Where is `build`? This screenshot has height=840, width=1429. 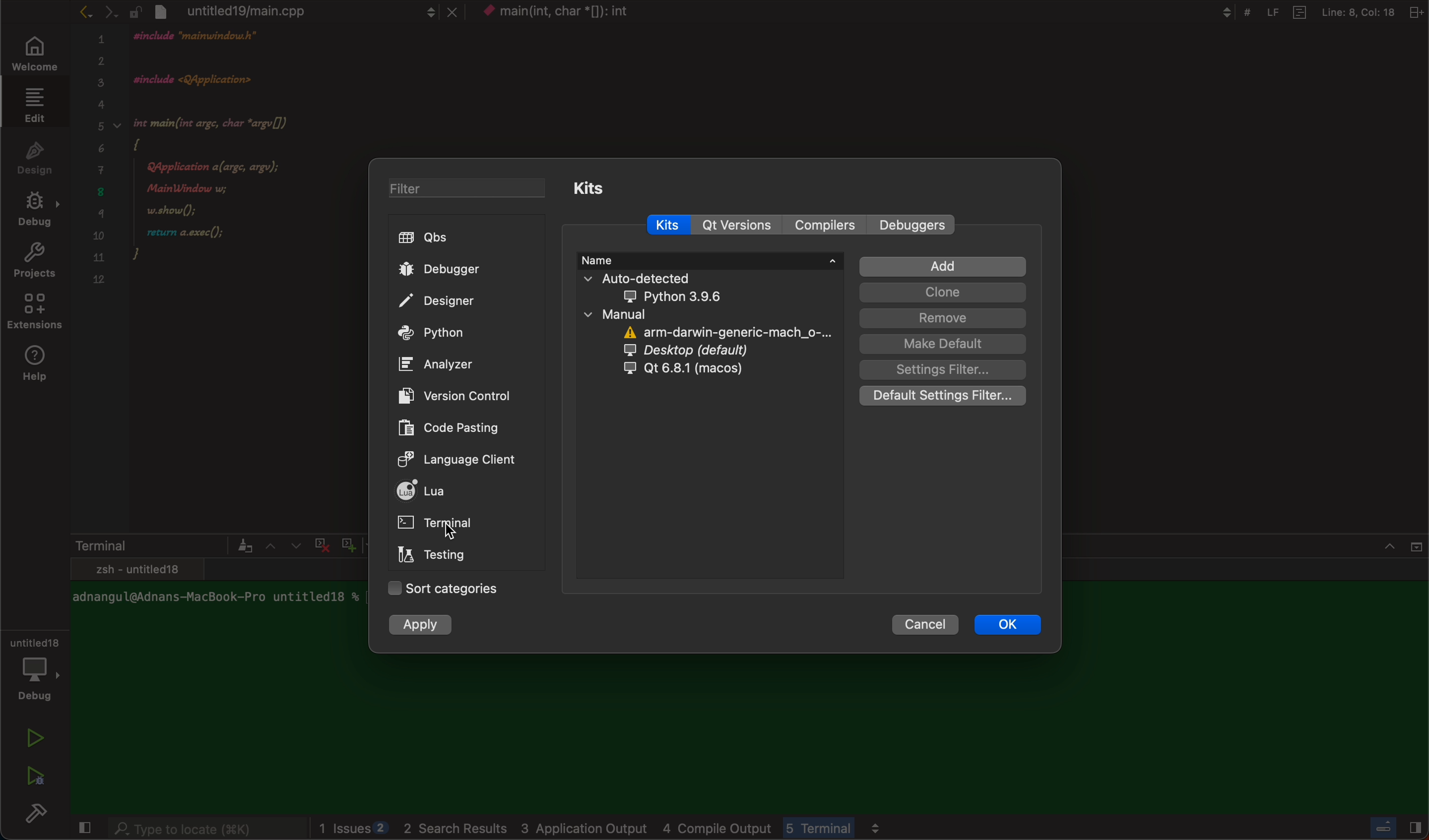
build is located at coordinates (40, 816).